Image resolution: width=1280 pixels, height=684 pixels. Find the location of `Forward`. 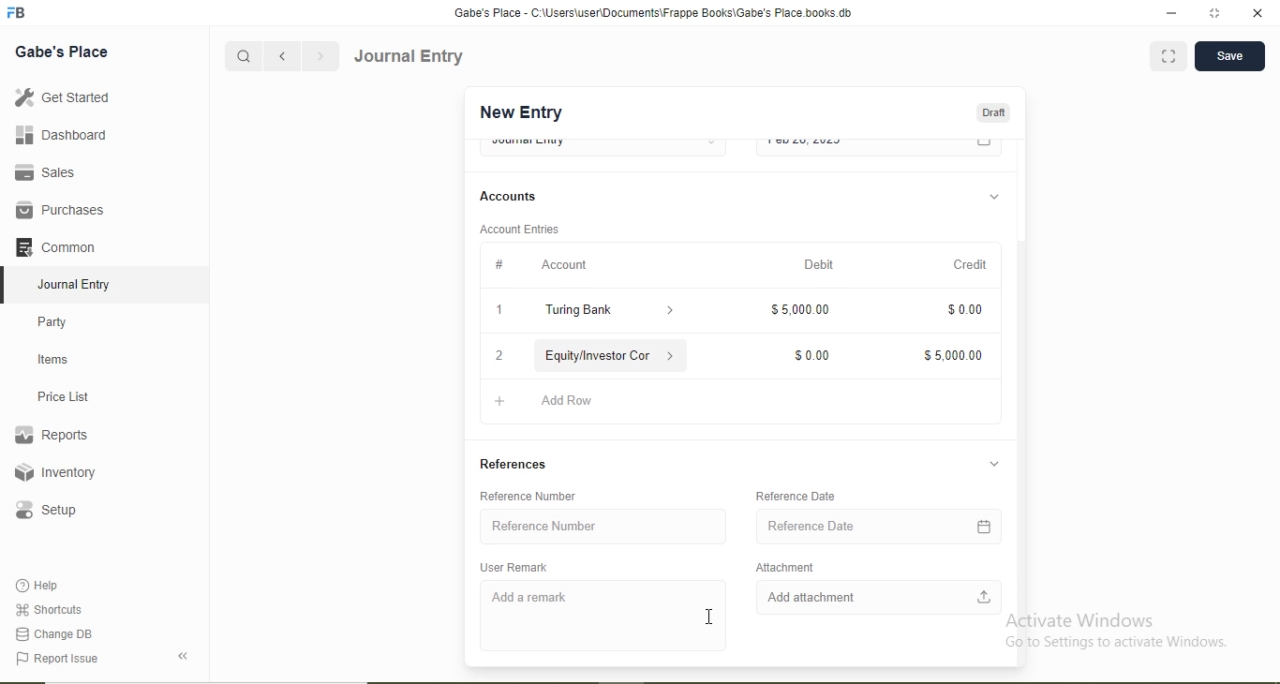

Forward is located at coordinates (321, 56).